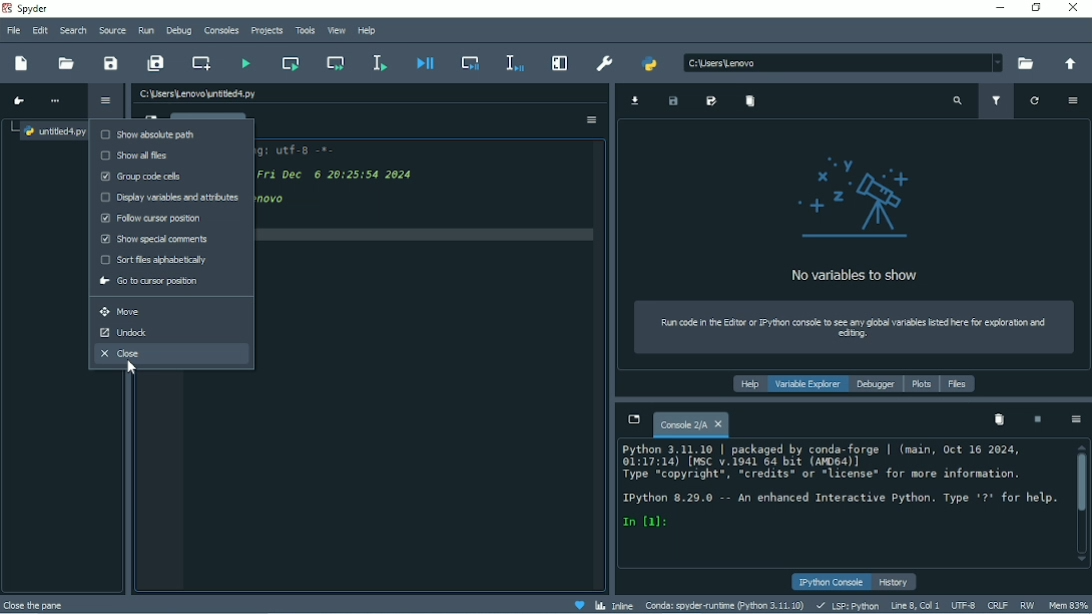 This screenshot has width=1092, height=614. I want to click on Follow cursor position, so click(154, 219).